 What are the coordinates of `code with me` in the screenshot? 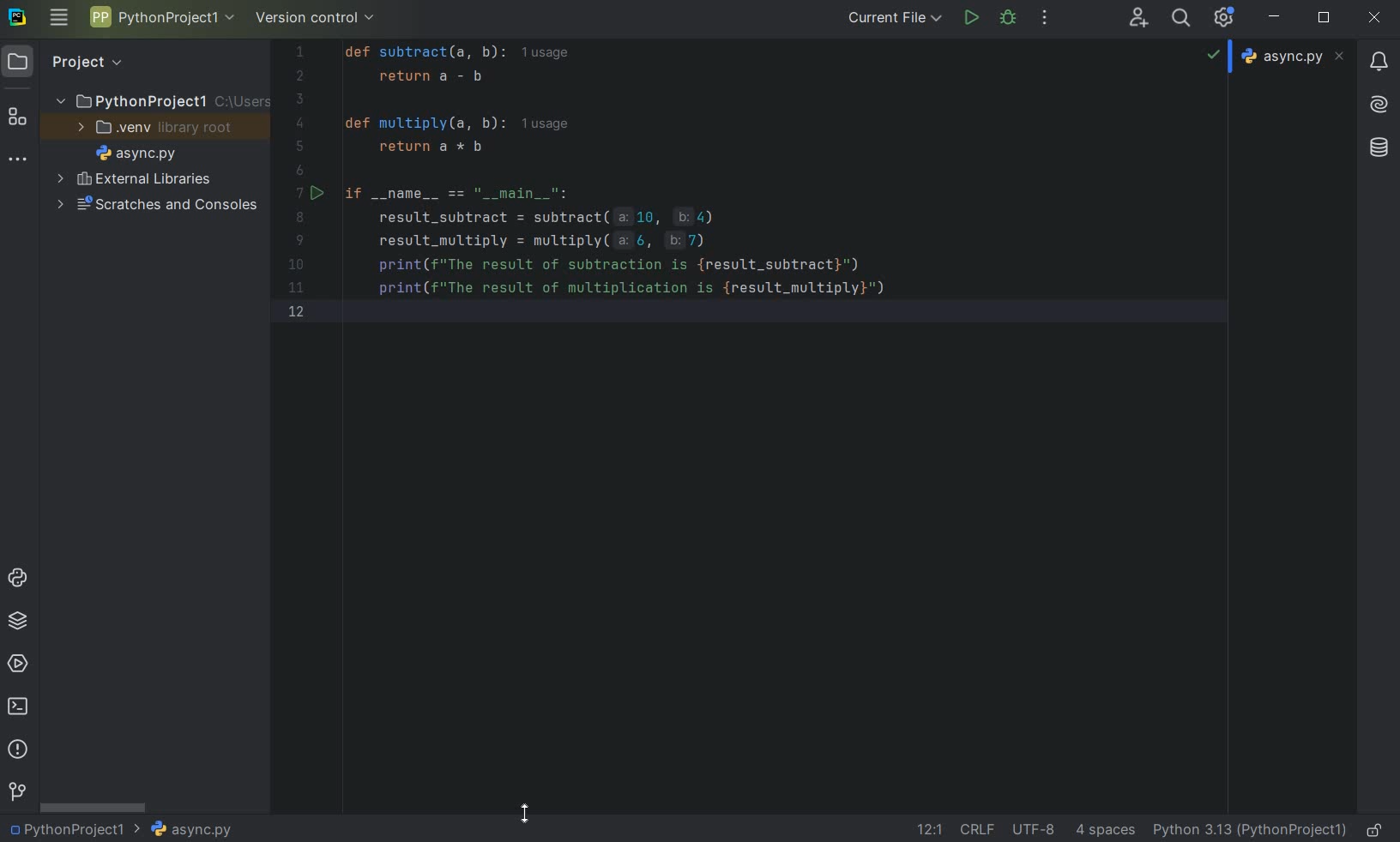 It's located at (1139, 19).